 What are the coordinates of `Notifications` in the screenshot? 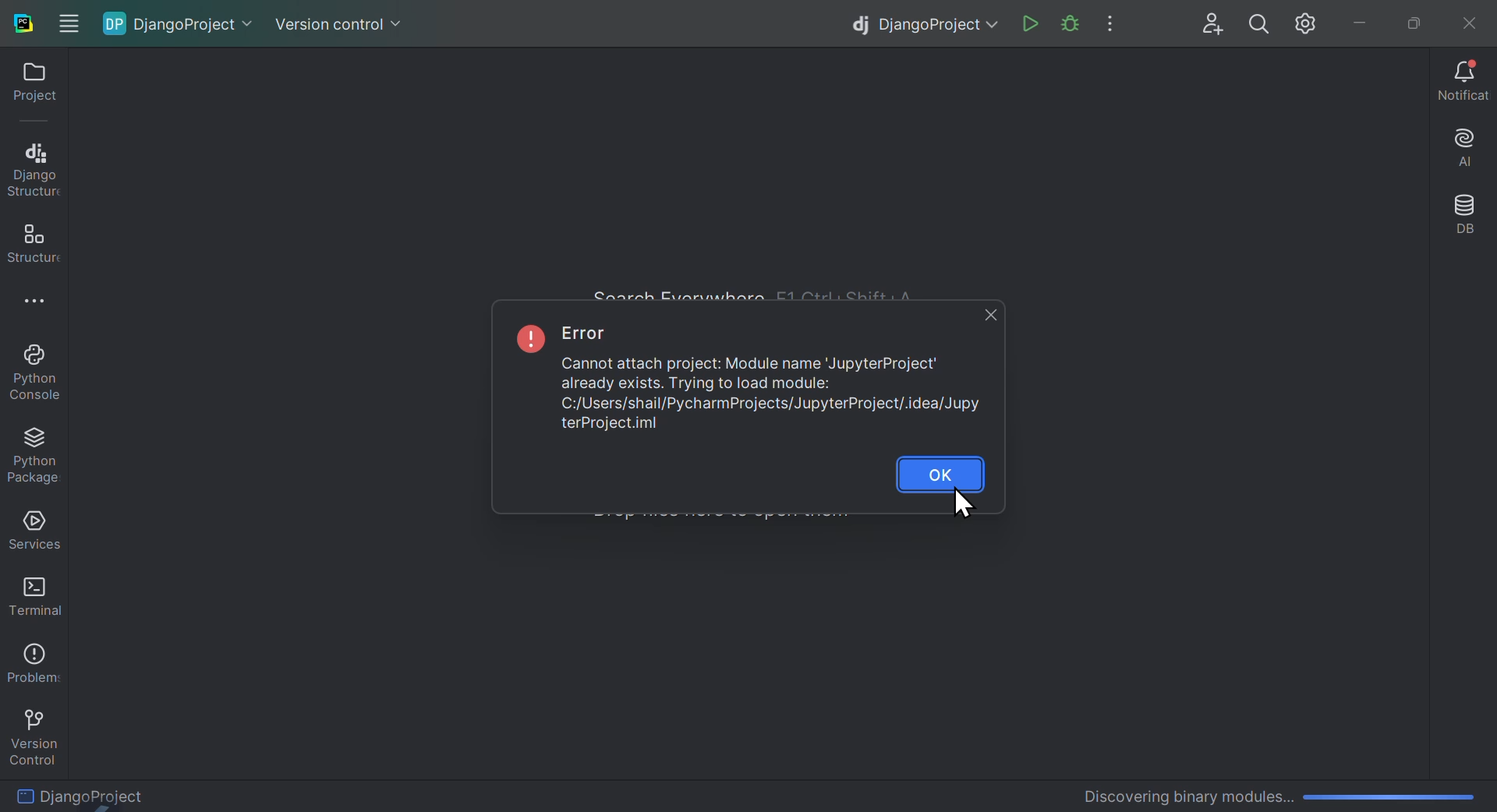 It's located at (1463, 83).